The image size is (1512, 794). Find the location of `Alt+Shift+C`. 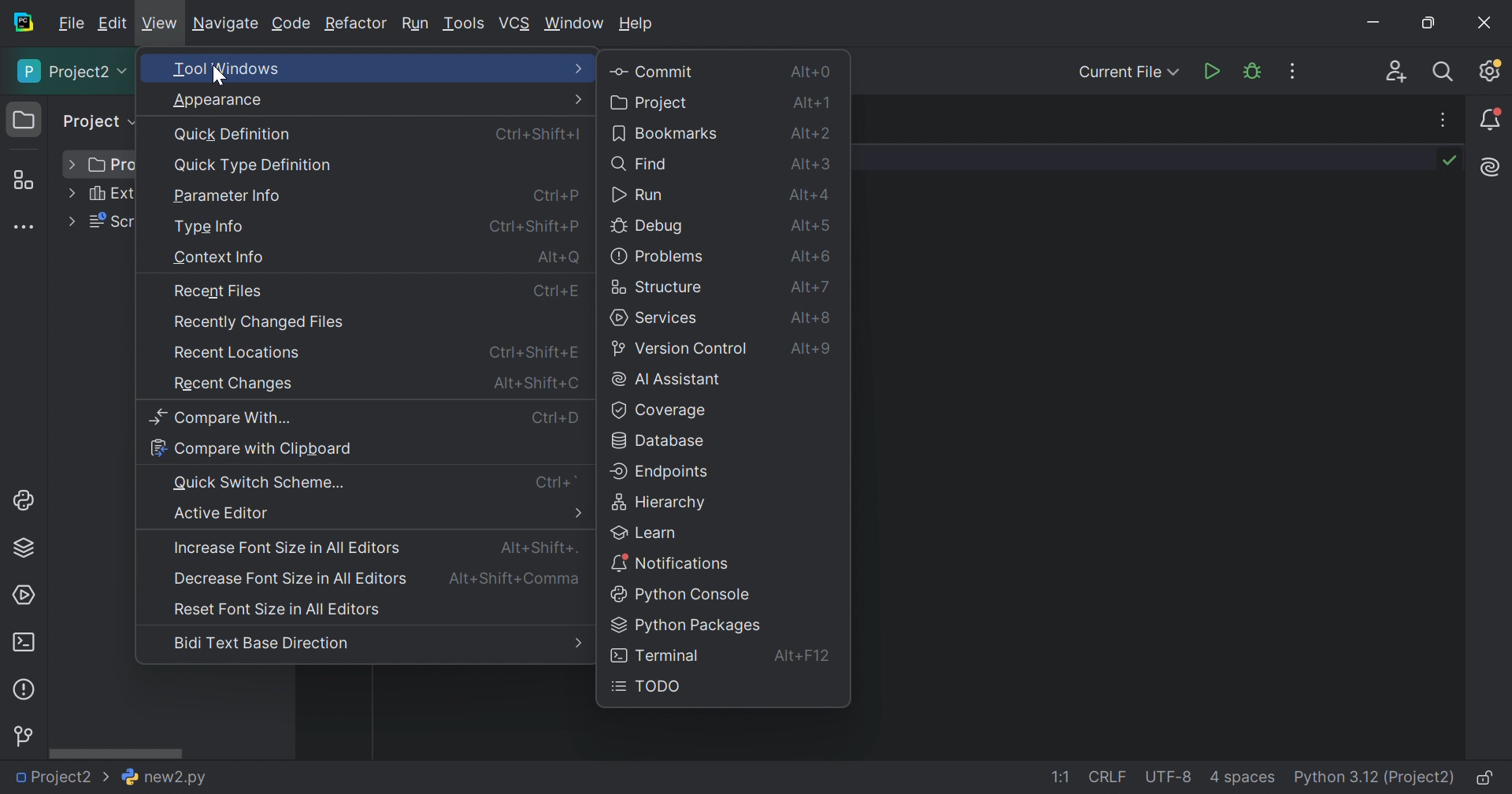

Alt+Shift+C is located at coordinates (534, 381).